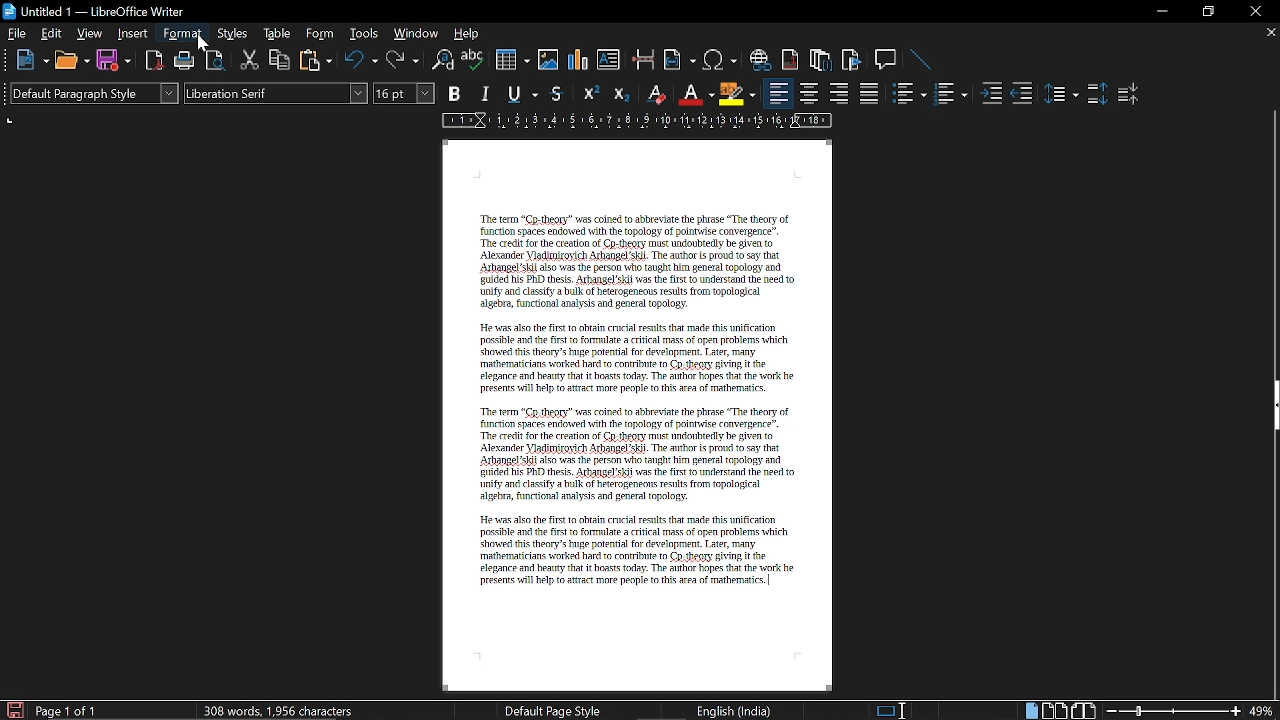  What do you see at coordinates (456, 93) in the screenshot?
I see `Bold` at bounding box center [456, 93].